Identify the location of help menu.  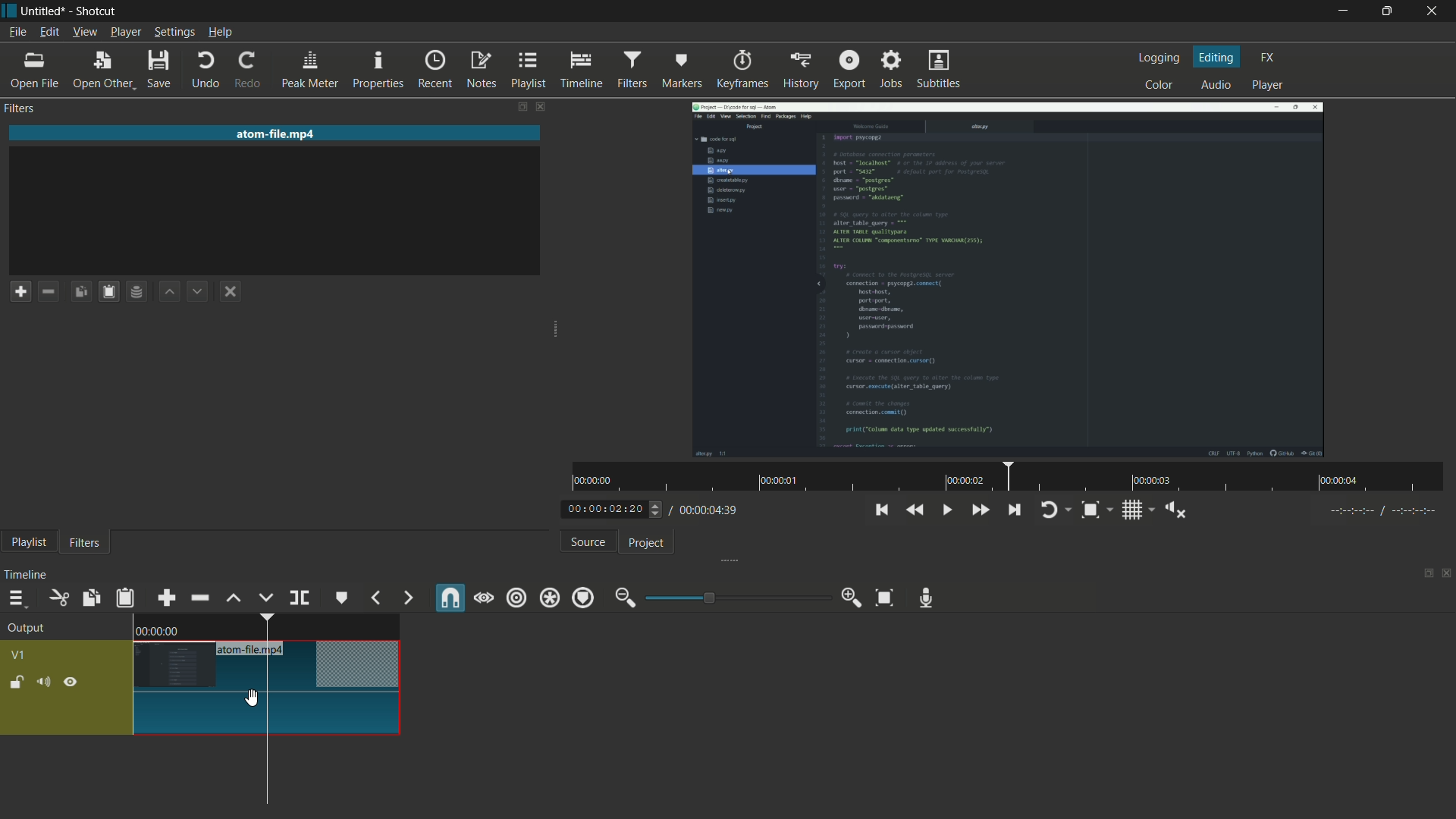
(221, 32).